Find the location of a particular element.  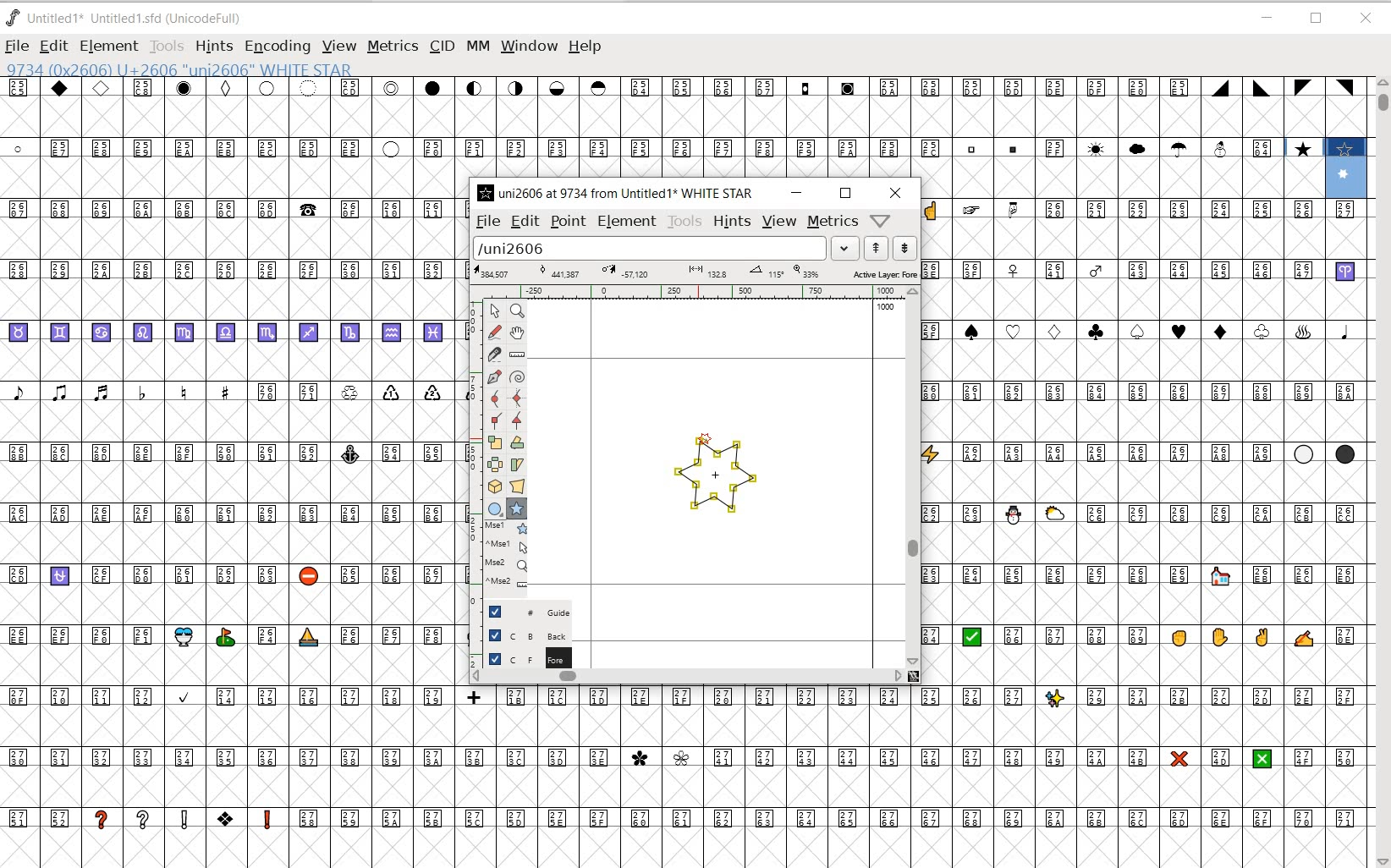

DRAW A FREEHAND is located at coordinates (494, 332).